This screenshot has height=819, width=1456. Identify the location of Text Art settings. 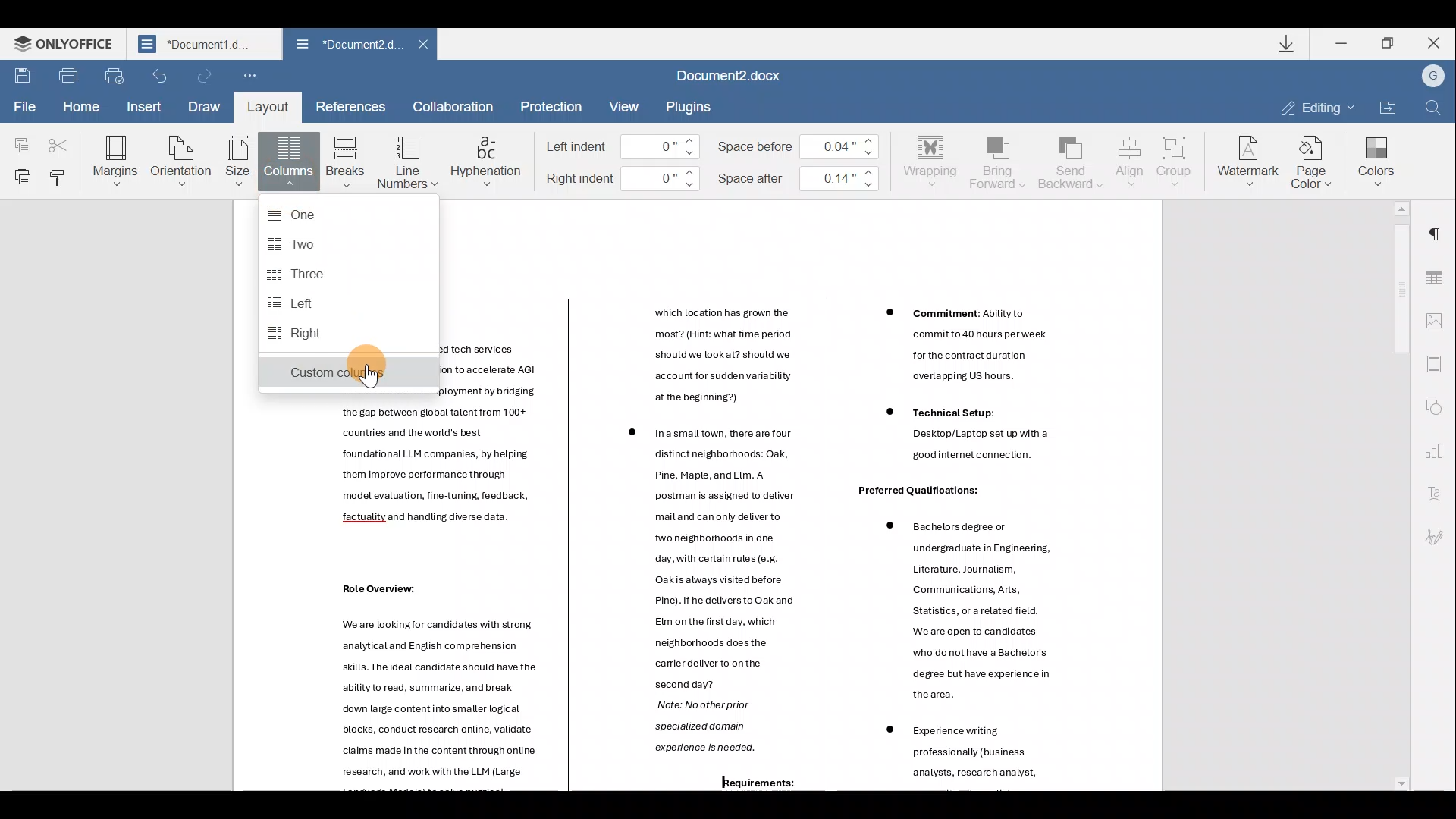
(1437, 495).